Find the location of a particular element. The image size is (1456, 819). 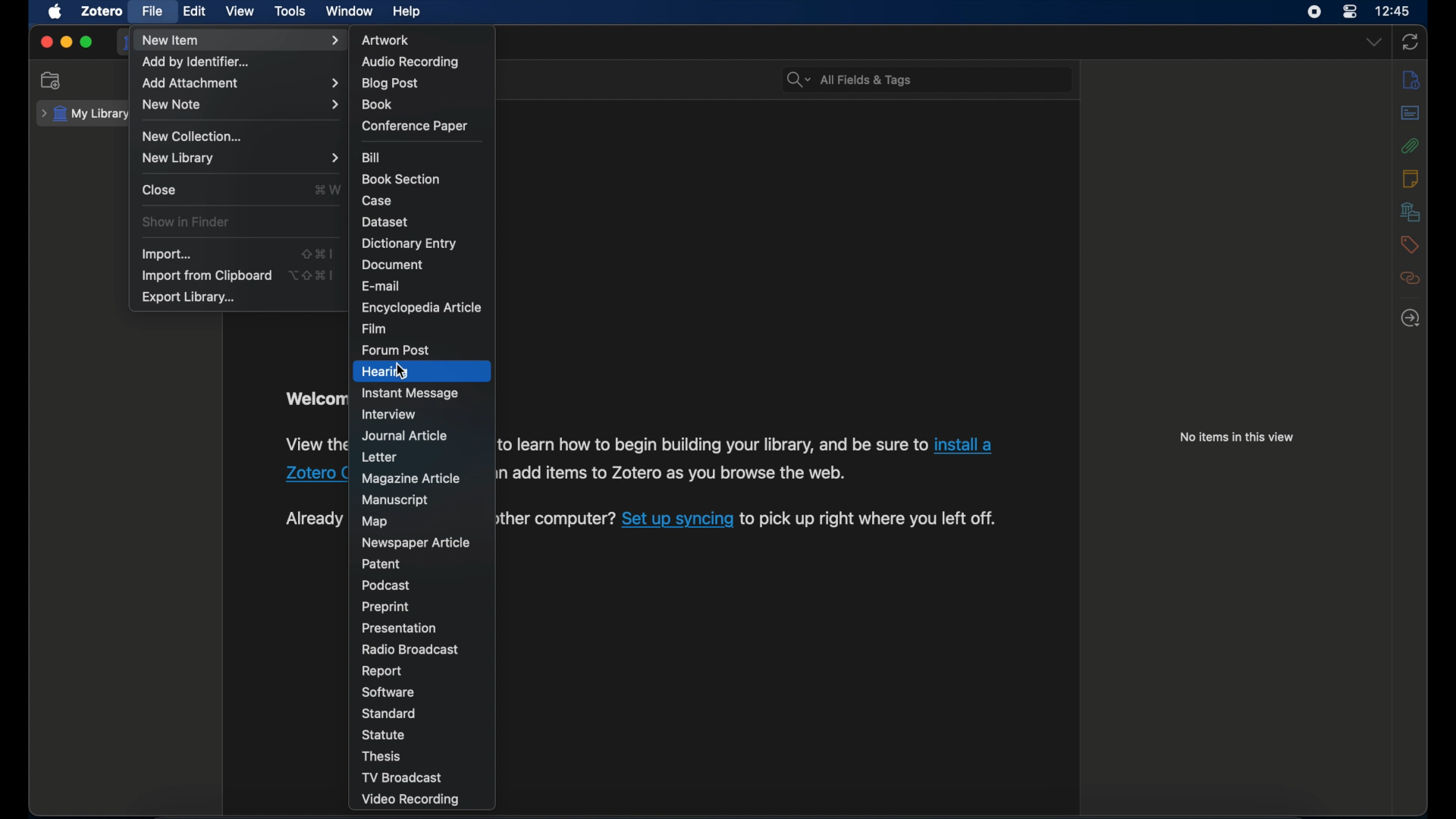

add attachment is located at coordinates (238, 83).